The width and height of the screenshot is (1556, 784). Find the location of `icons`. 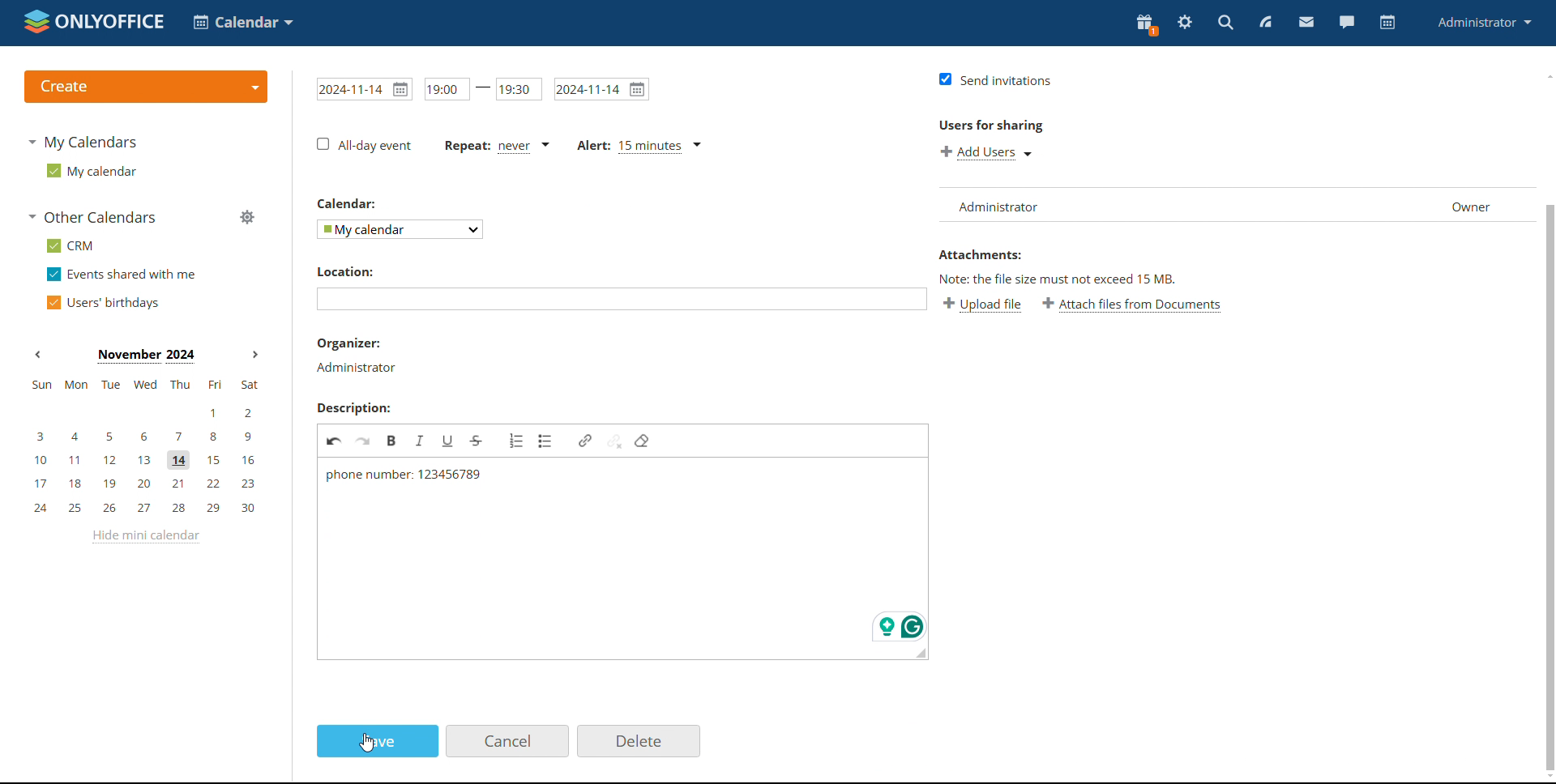

icons is located at coordinates (900, 627).